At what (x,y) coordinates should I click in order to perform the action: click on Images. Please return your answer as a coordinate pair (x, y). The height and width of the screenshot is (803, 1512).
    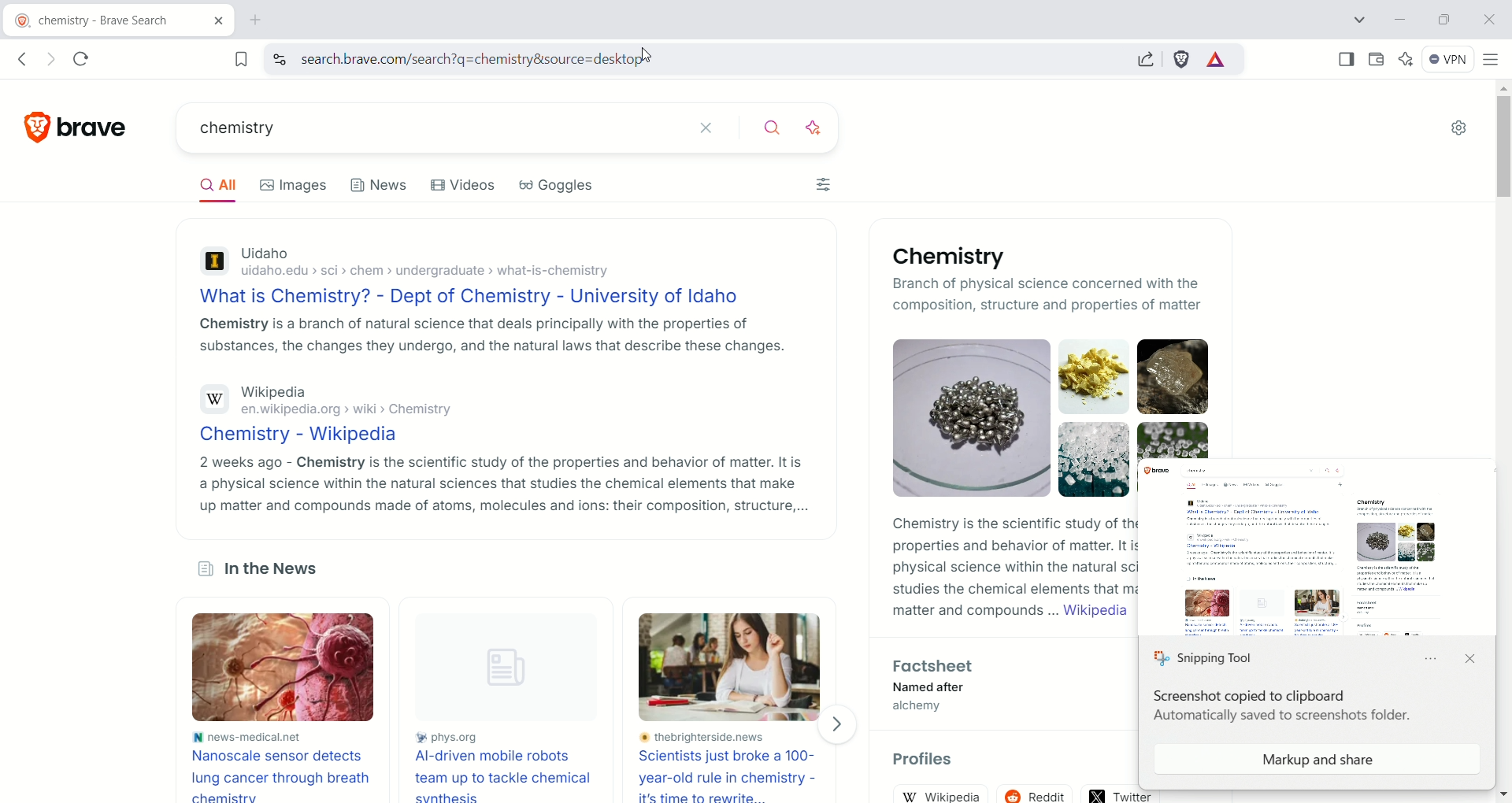
    Looking at the image, I should click on (301, 185).